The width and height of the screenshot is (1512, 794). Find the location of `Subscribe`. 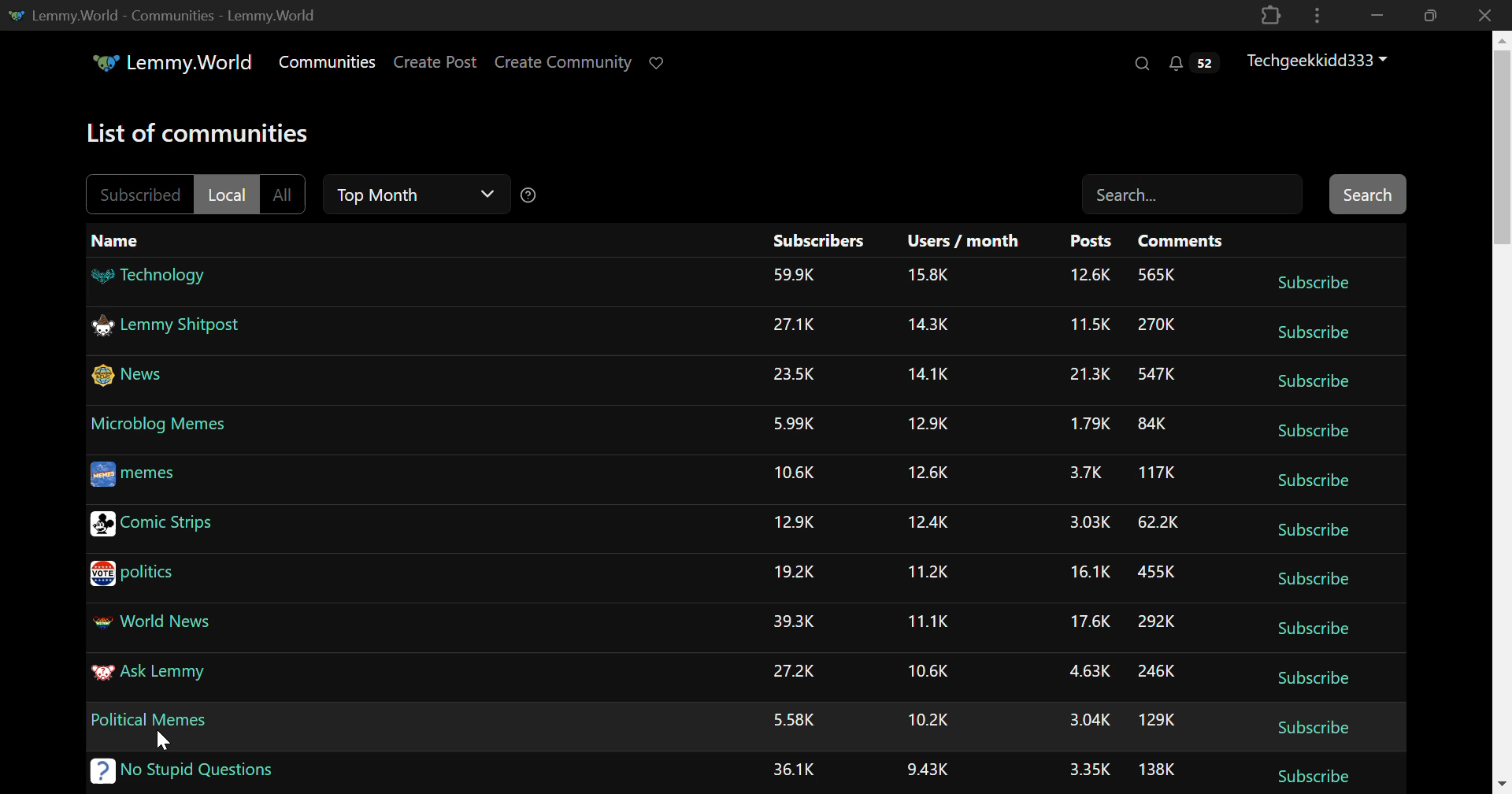

Subscribe is located at coordinates (1312, 578).